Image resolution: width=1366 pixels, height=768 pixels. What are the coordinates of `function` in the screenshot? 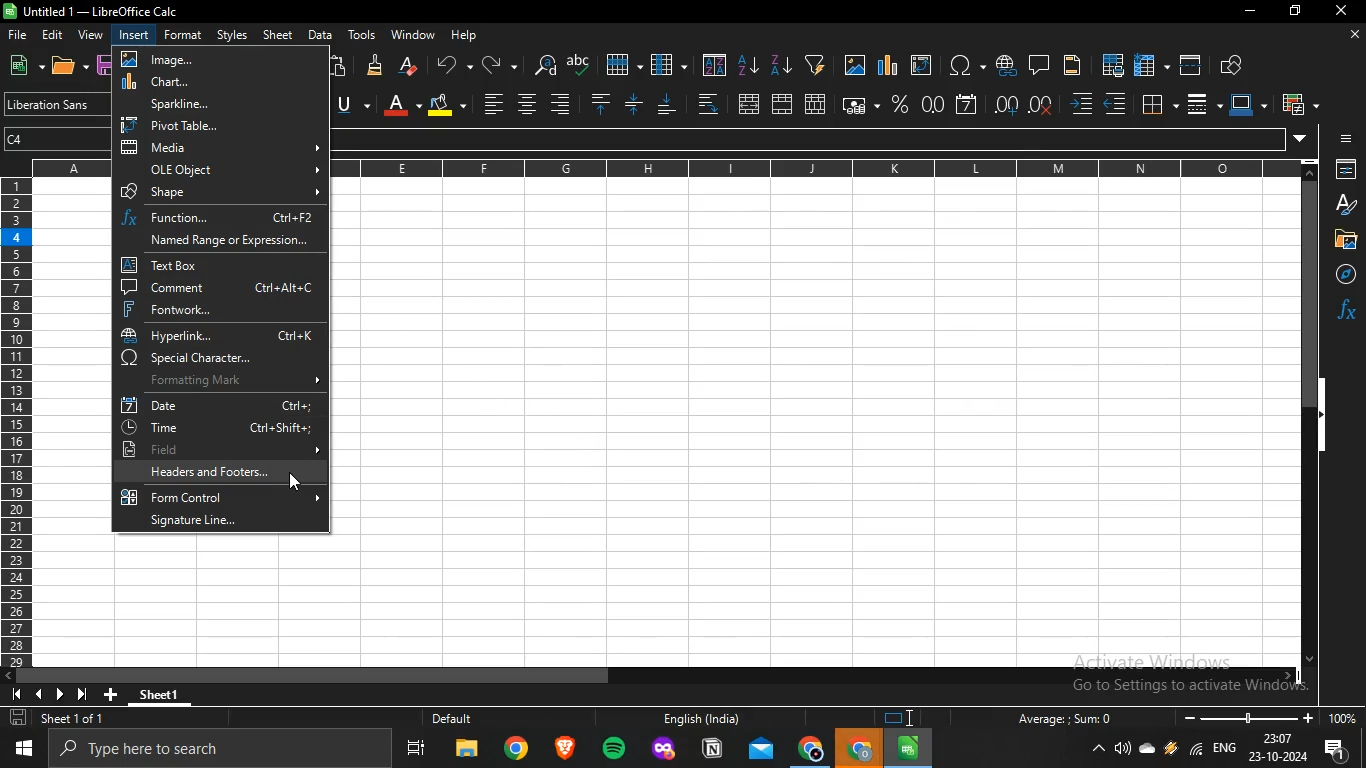 It's located at (1346, 309).